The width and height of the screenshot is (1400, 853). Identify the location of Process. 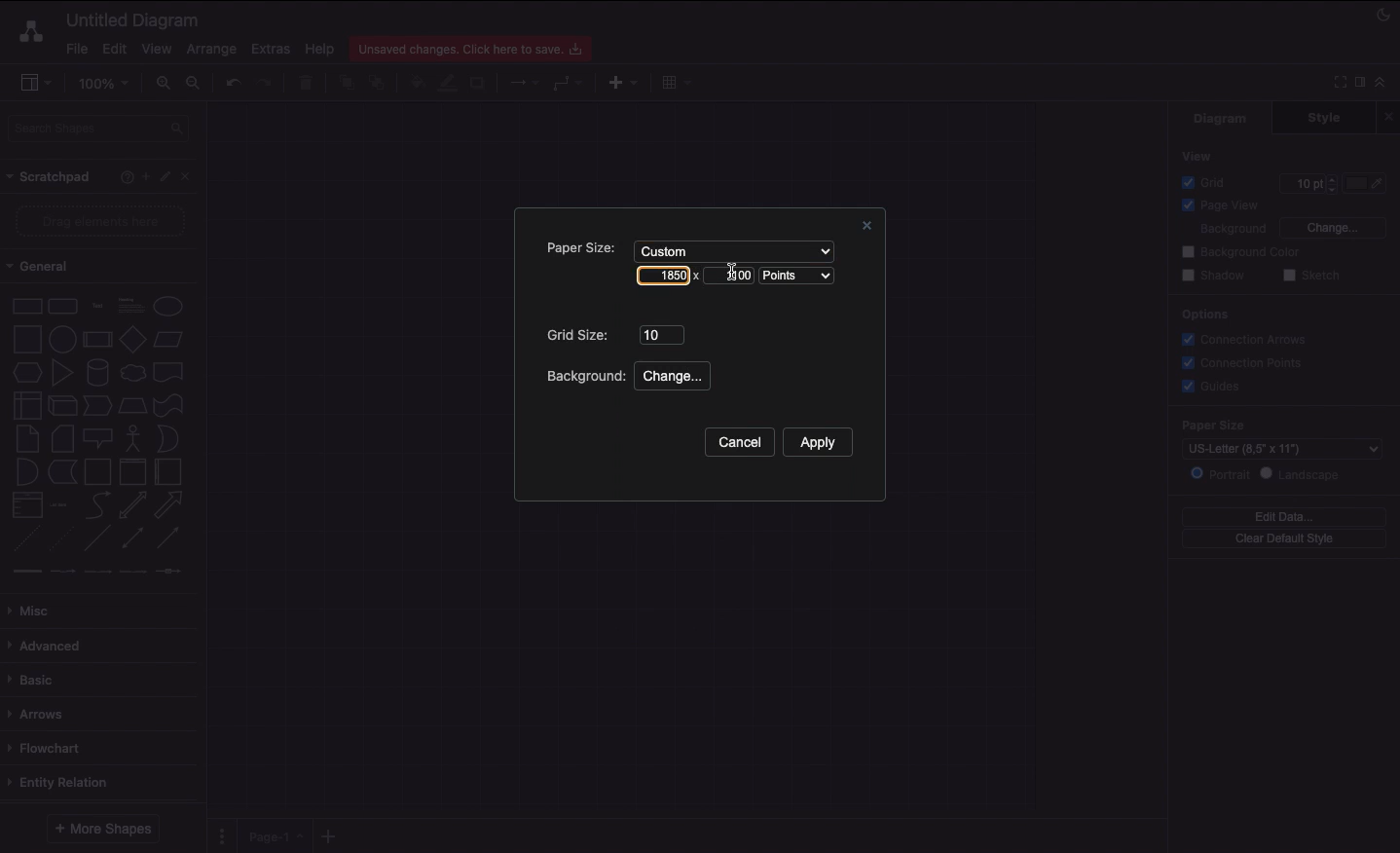
(95, 341).